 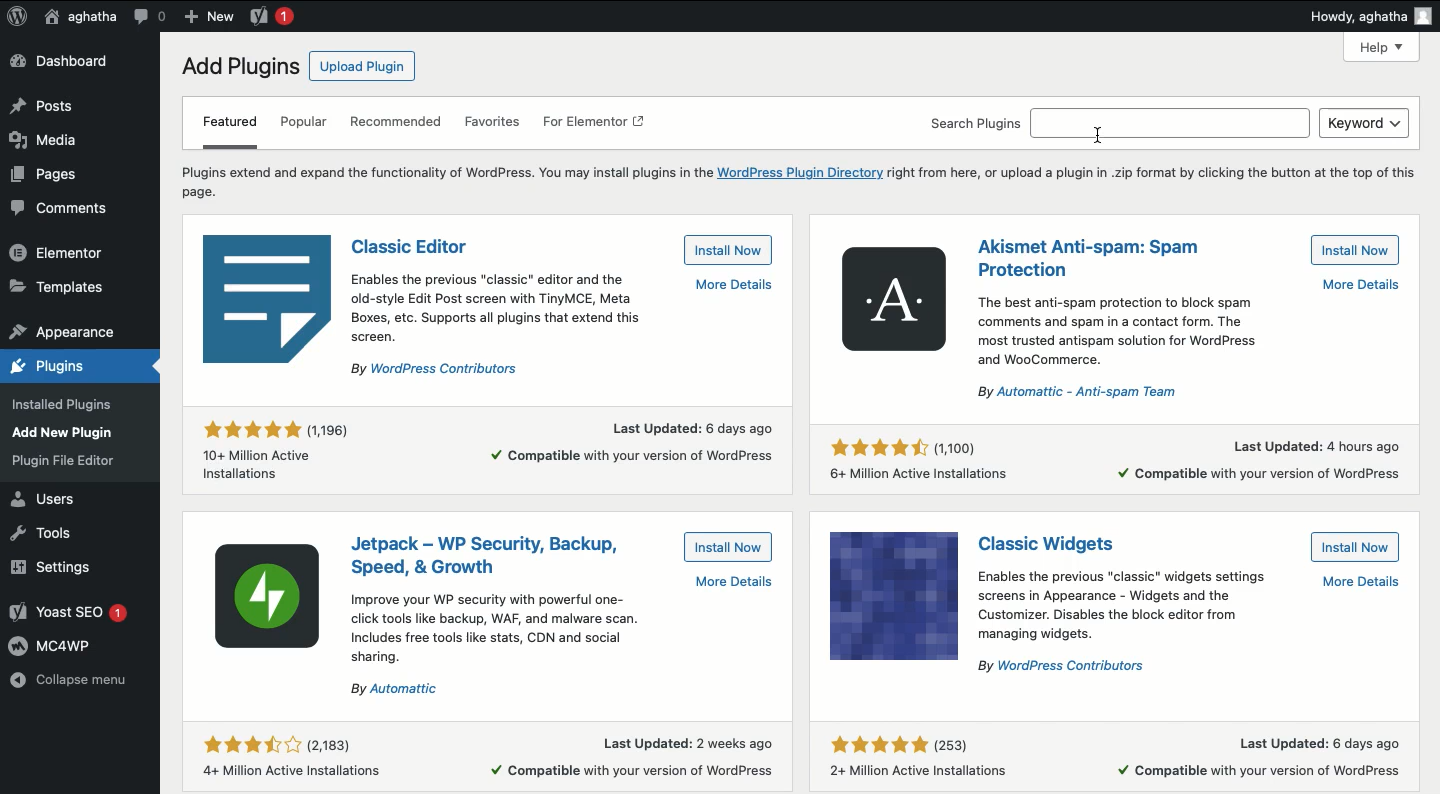 I want to click on Hoke kok (263) Last Updated: 6 days ago
2+ Million Active Installations v Compatible with your version of WordPress, so click(x=1118, y=750).